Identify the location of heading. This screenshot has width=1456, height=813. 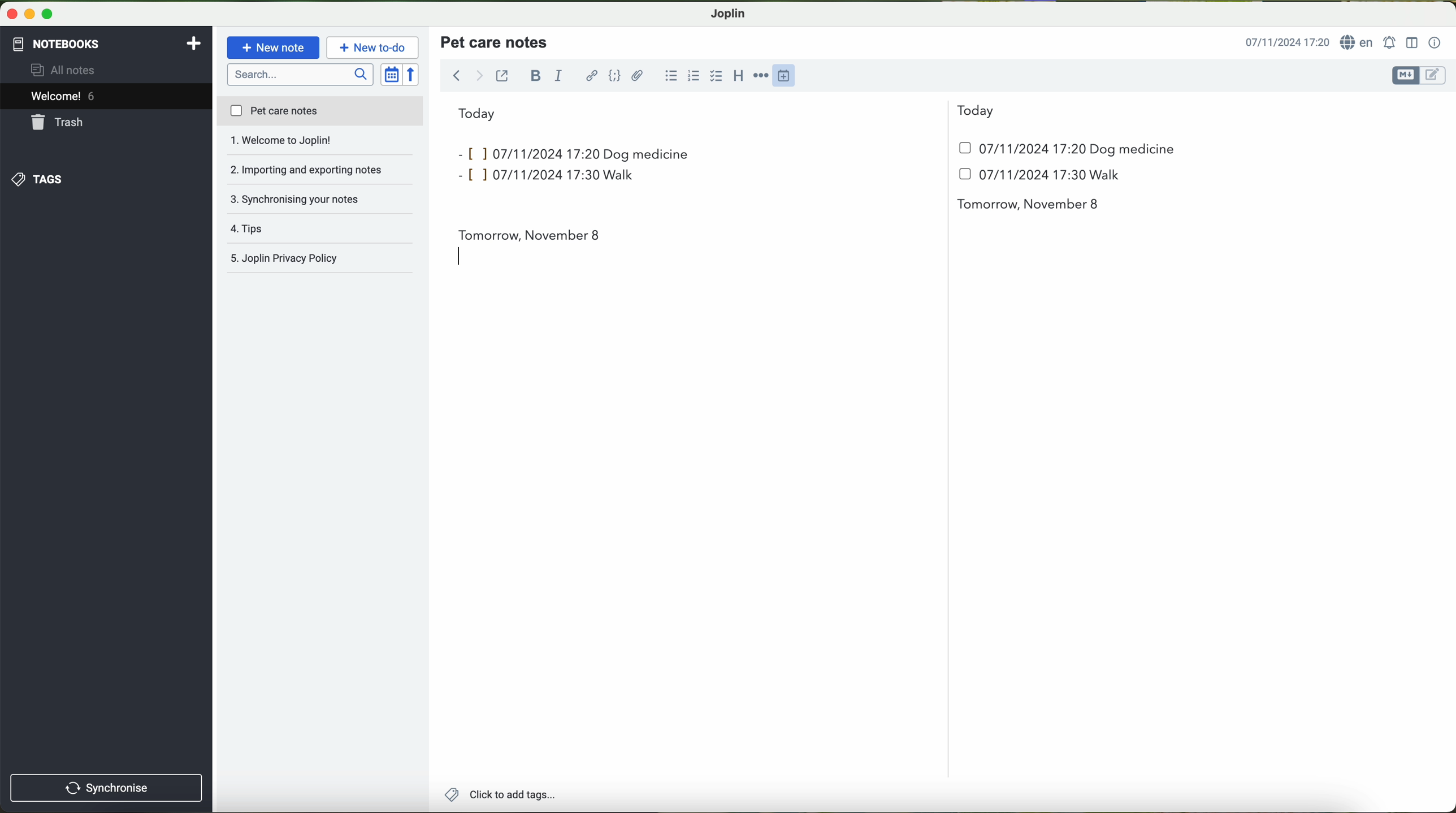
(739, 75).